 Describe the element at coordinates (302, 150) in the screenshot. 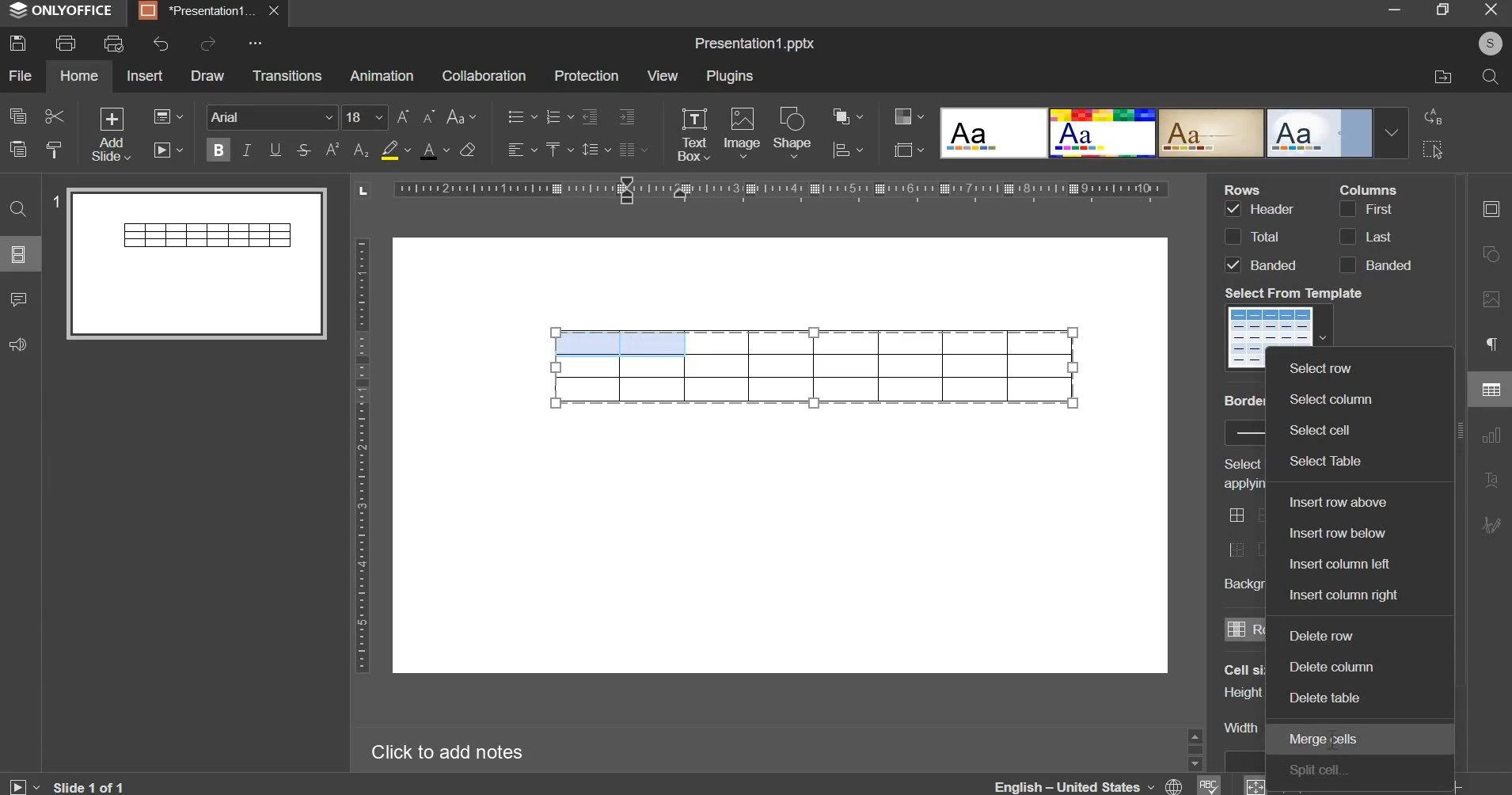

I see `strikethrough` at that location.